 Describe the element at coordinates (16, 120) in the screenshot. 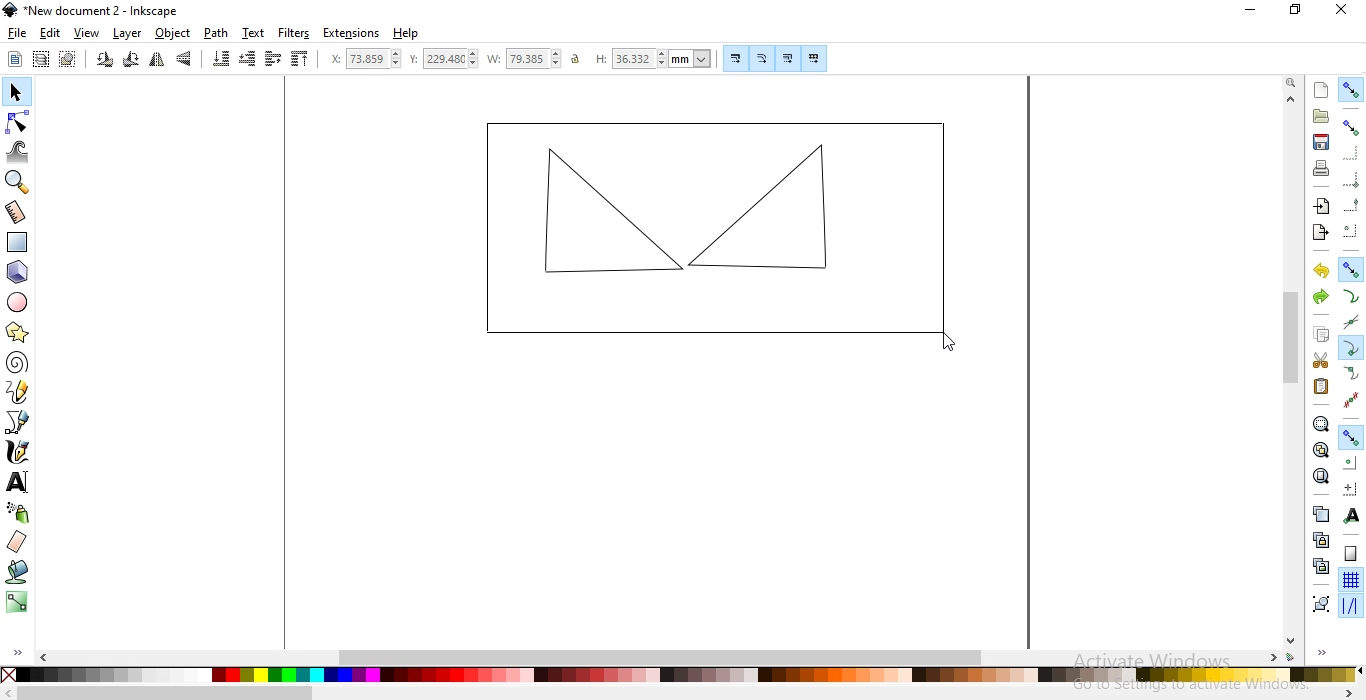

I see `edit path by nodes` at that location.